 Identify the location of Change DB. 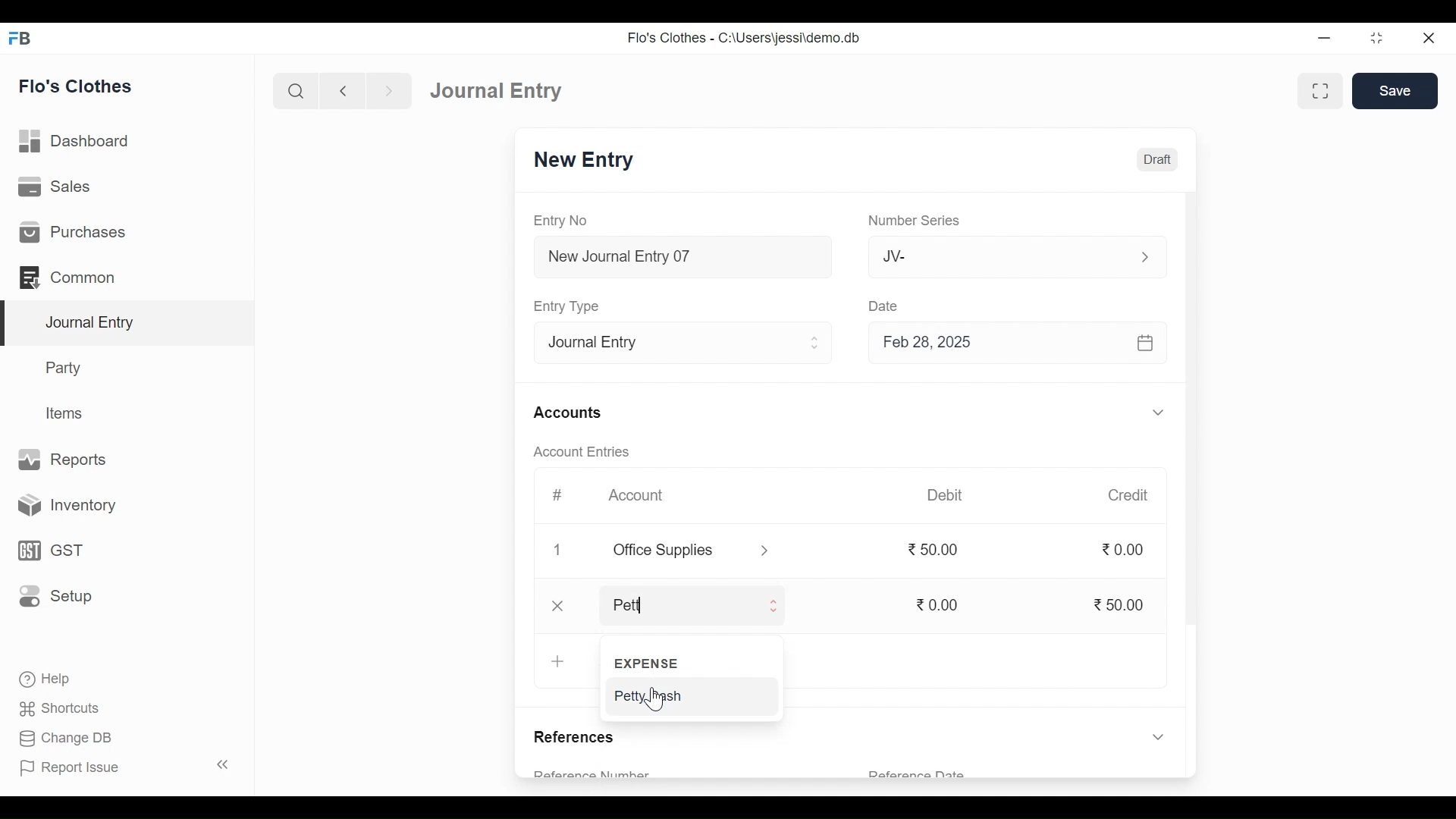
(64, 736).